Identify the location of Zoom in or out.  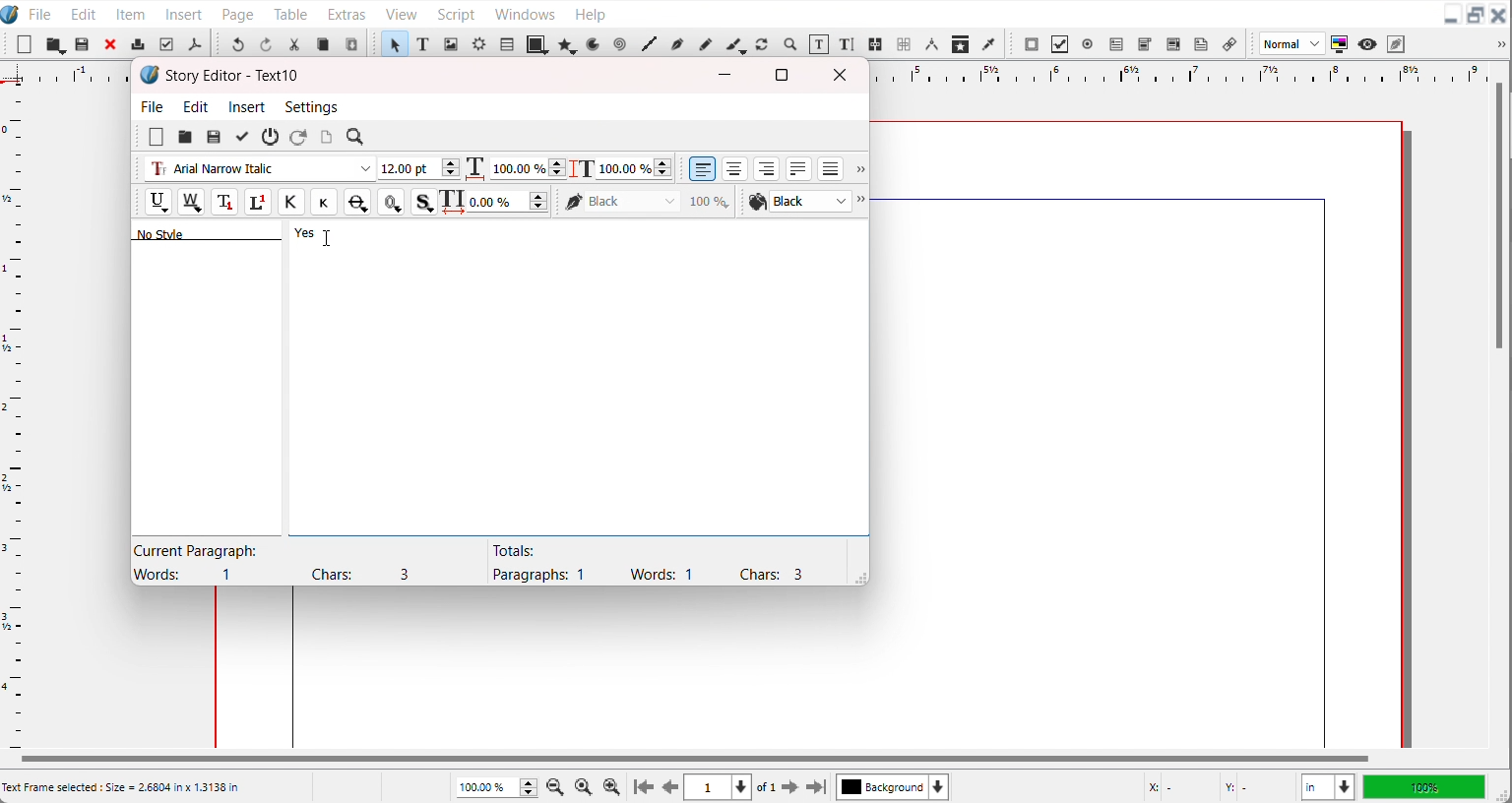
(788, 43).